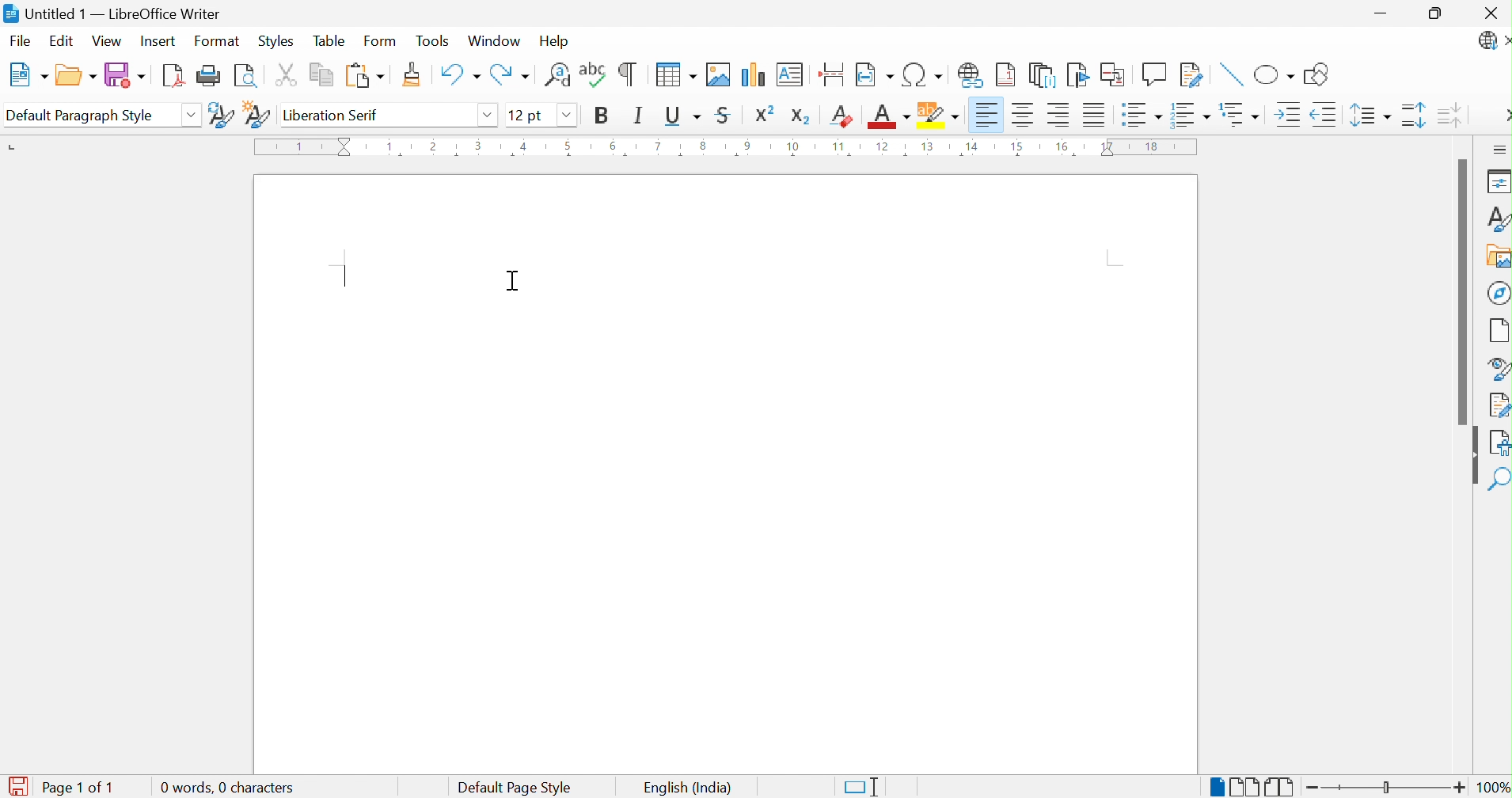 The image size is (1512, 798). I want to click on Ruler, so click(724, 149).